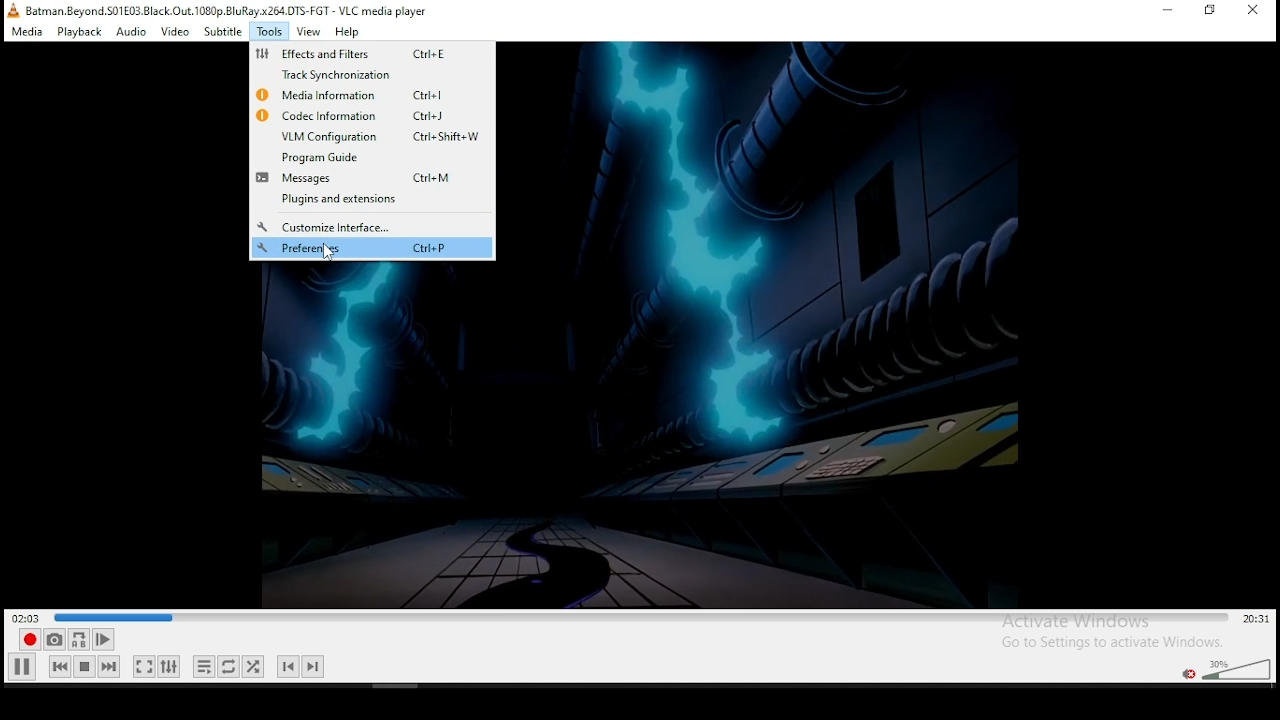  Describe the element at coordinates (174, 32) in the screenshot. I see `video` at that location.